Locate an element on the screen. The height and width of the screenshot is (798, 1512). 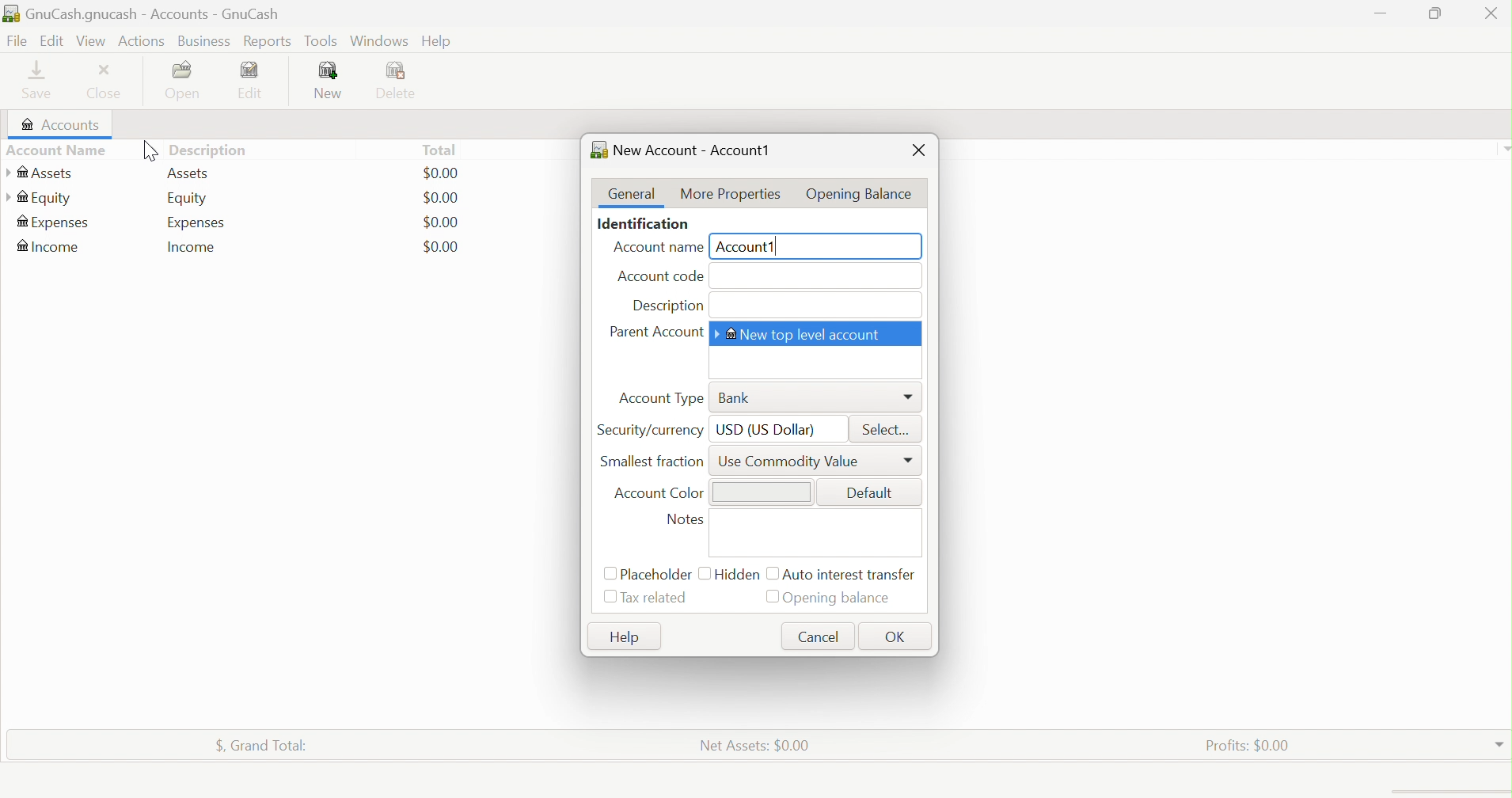
Identification is located at coordinates (644, 225).